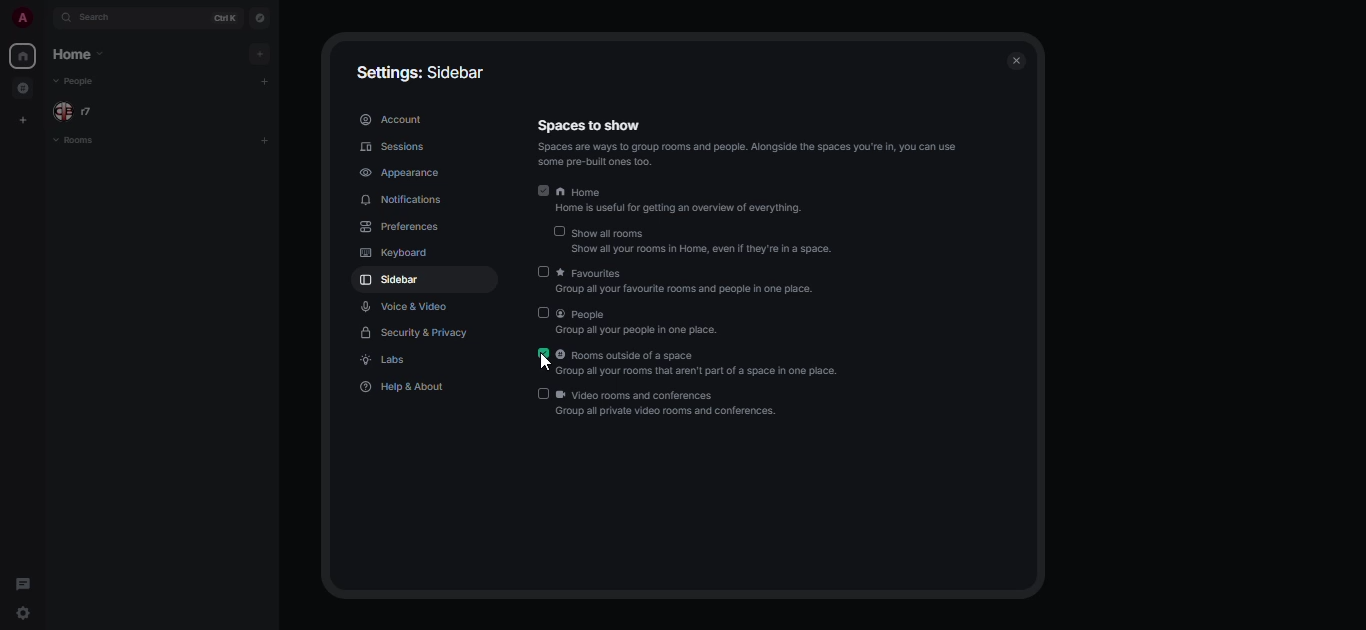 Image resolution: width=1366 pixels, height=630 pixels. I want to click on disabled, so click(543, 313).